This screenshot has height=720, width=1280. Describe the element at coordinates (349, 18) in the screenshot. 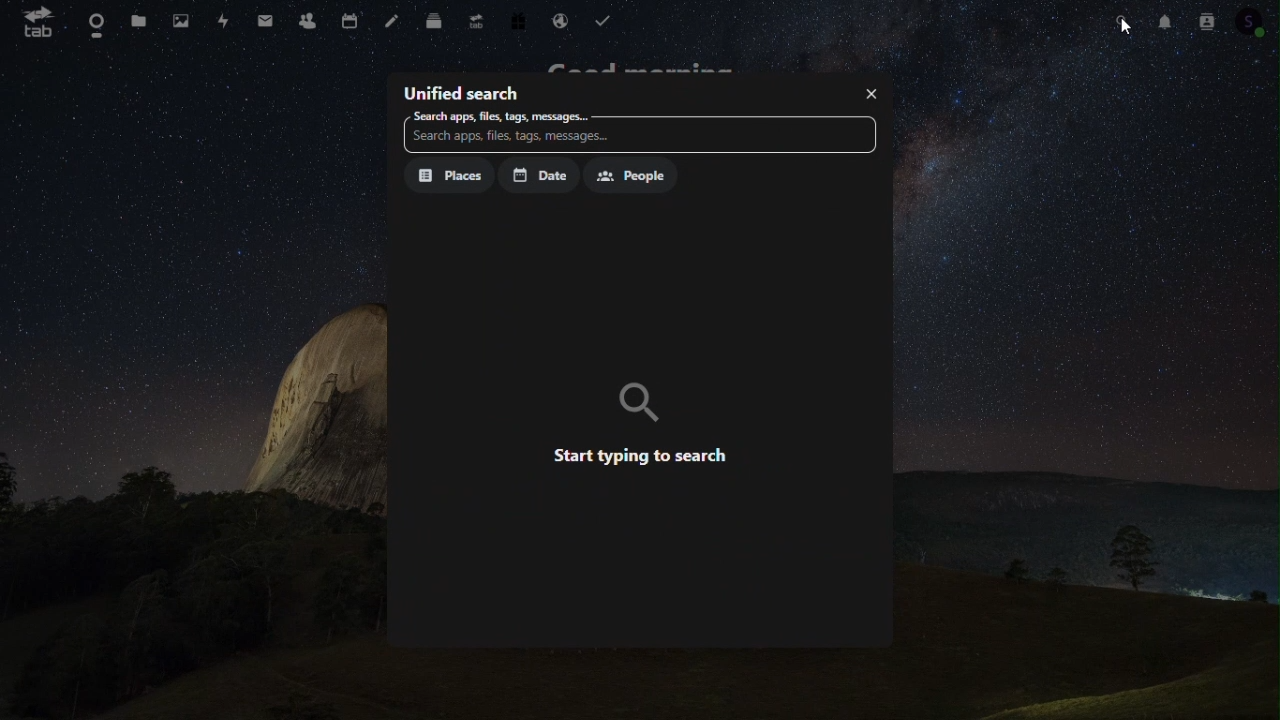

I see `Calendar` at that location.